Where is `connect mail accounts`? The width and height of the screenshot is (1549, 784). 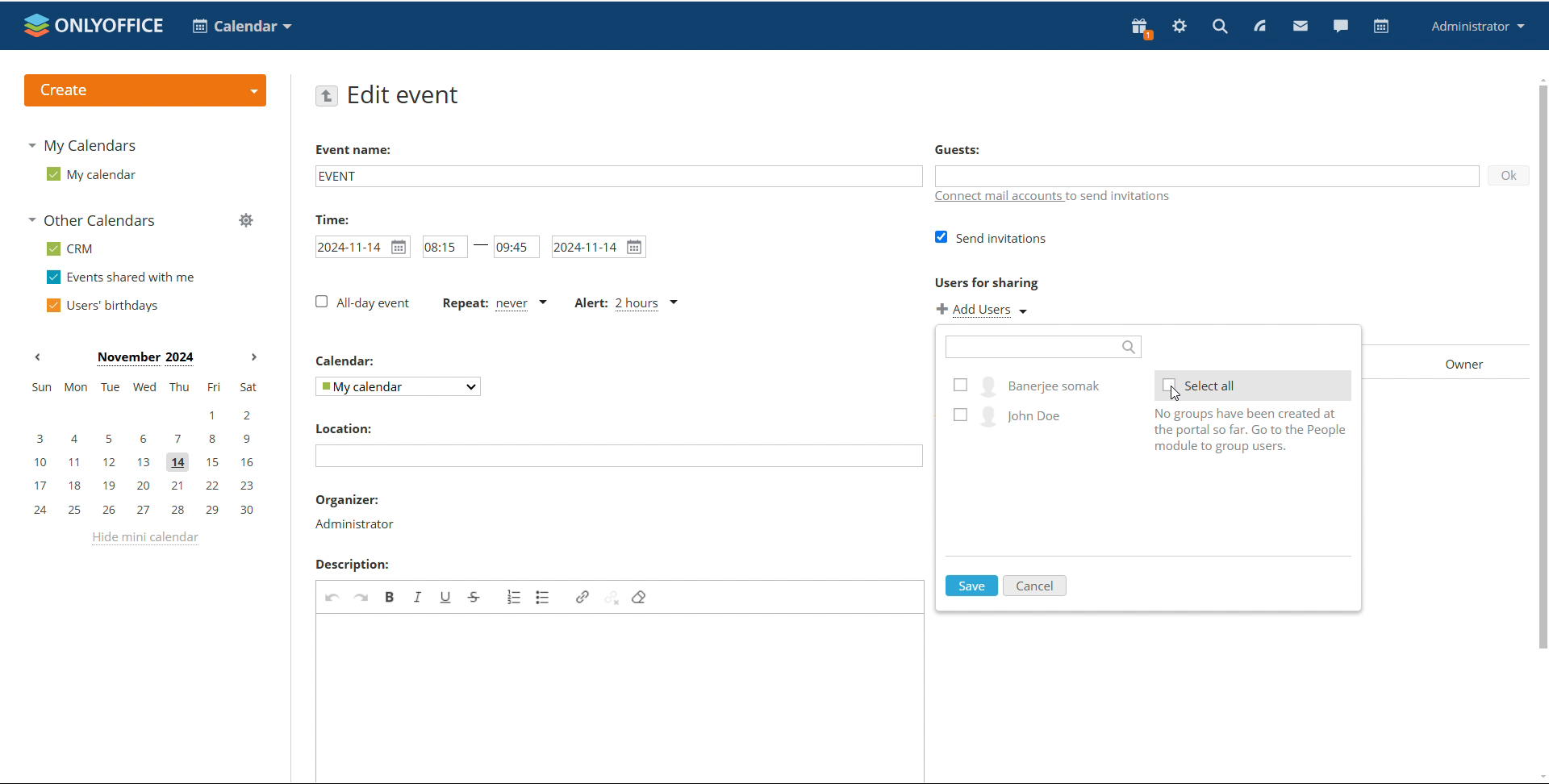 connect mail accounts is located at coordinates (1057, 198).